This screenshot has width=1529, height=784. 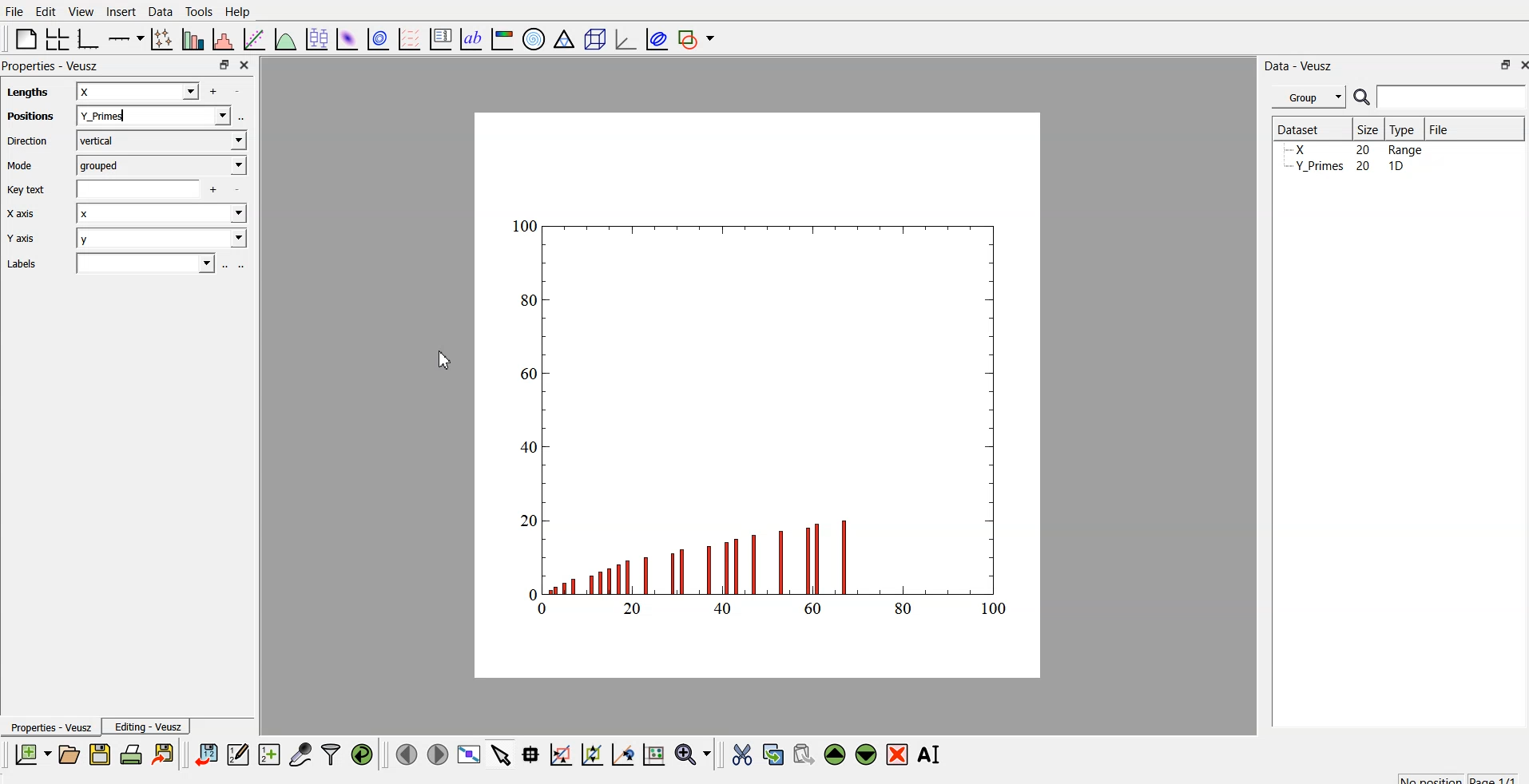 What do you see at coordinates (30, 754) in the screenshot?
I see `new document` at bounding box center [30, 754].